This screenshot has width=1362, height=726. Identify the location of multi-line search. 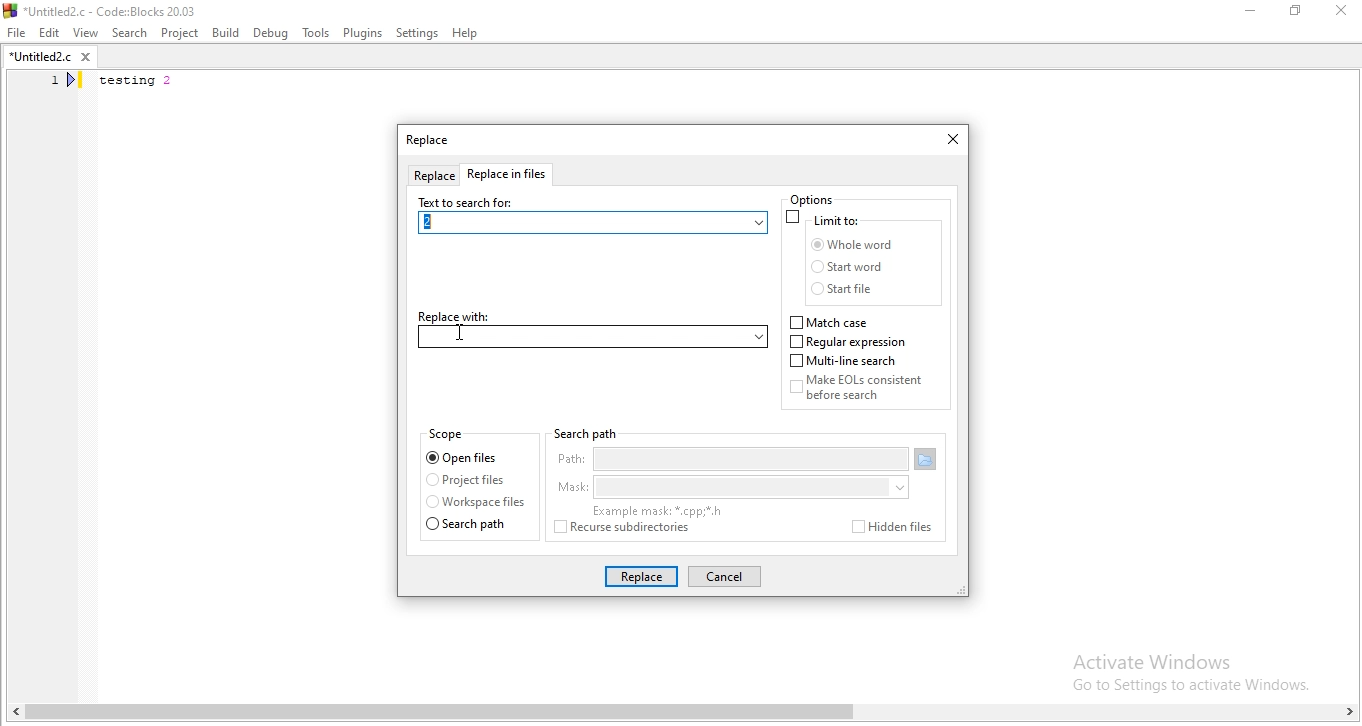
(847, 362).